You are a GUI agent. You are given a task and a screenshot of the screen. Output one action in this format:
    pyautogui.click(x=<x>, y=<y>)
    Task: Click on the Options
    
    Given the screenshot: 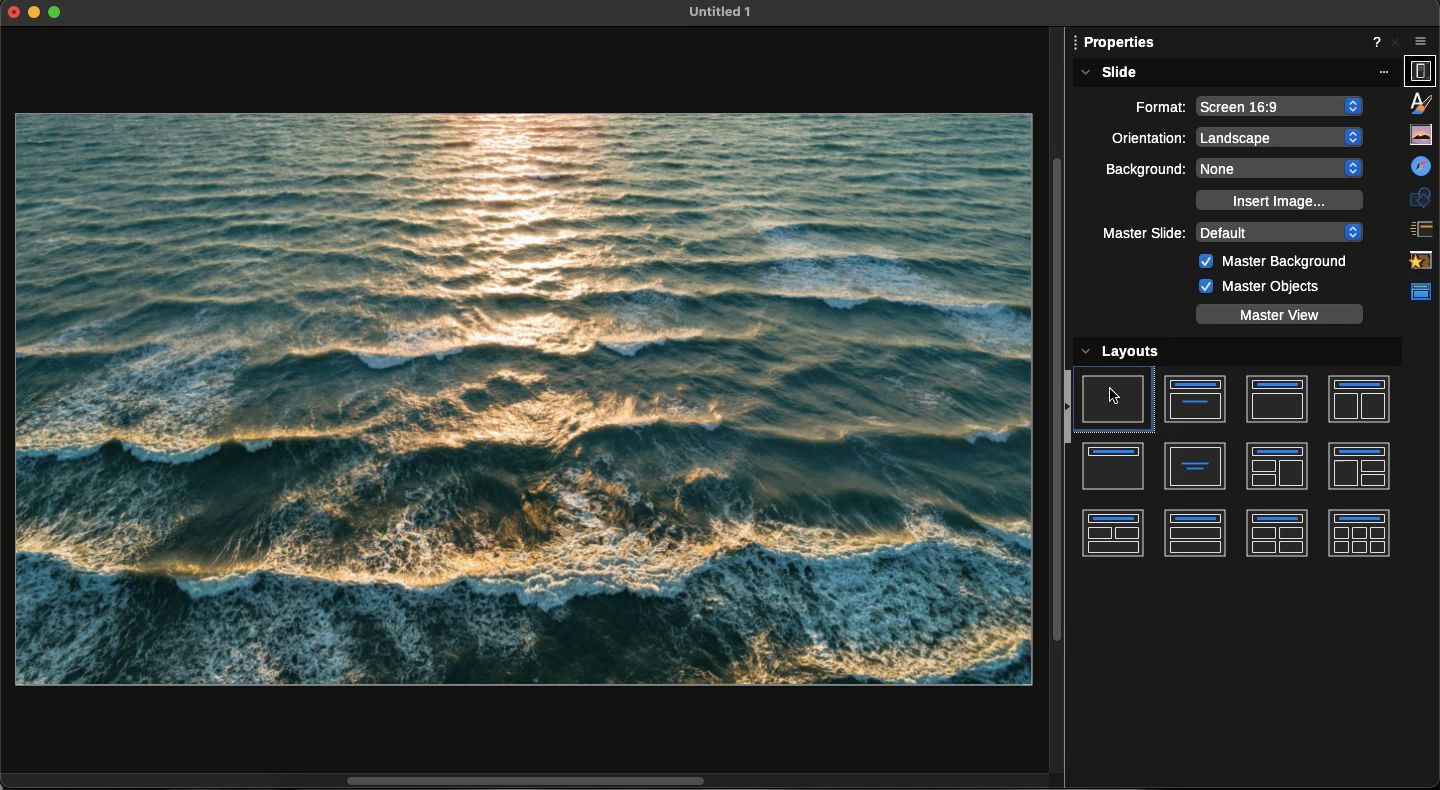 What is the action you would take?
    pyautogui.click(x=1421, y=40)
    